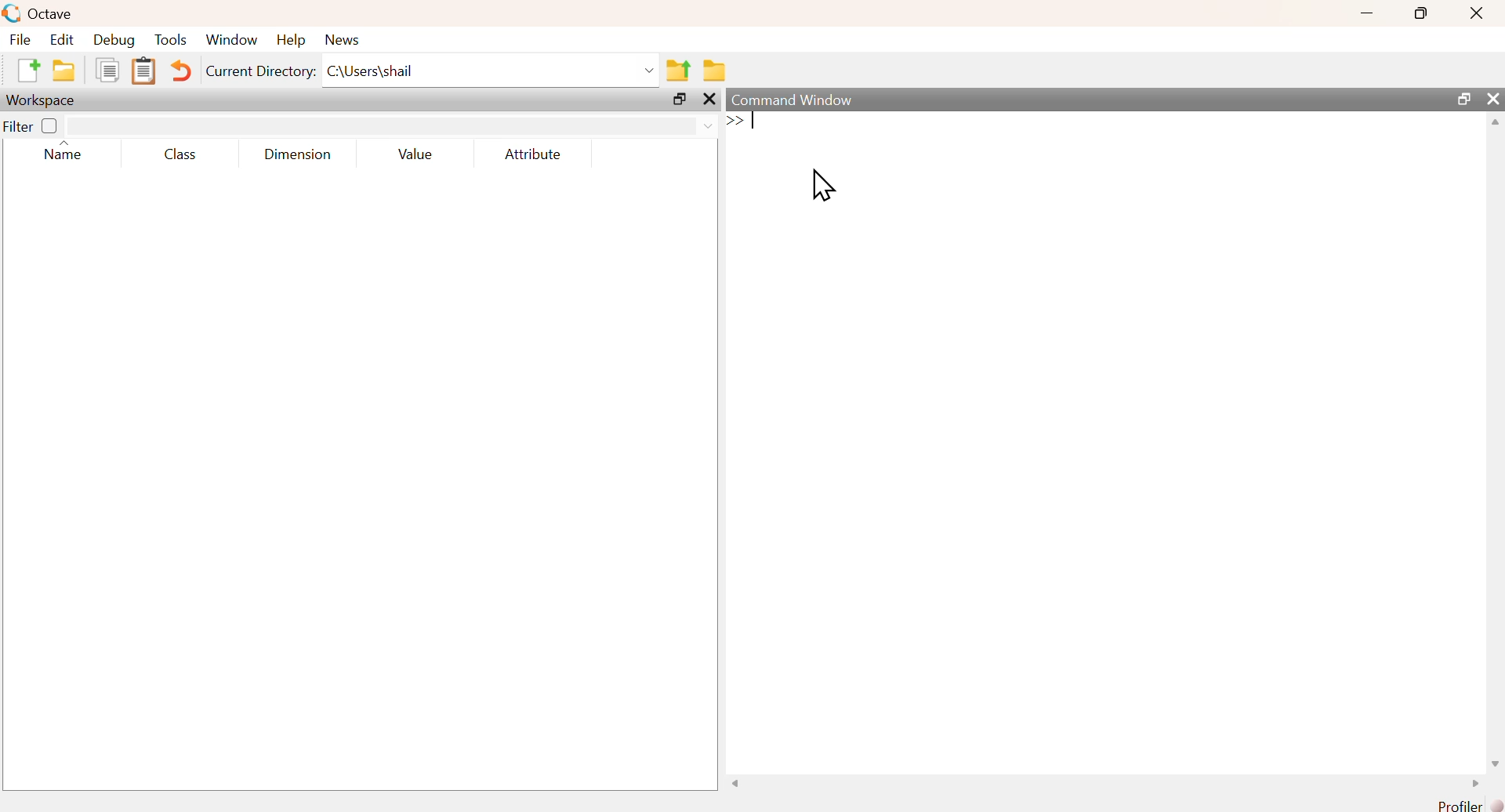 This screenshot has width=1505, height=812. What do you see at coordinates (822, 185) in the screenshot?
I see `cursor` at bounding box center [822, 185].